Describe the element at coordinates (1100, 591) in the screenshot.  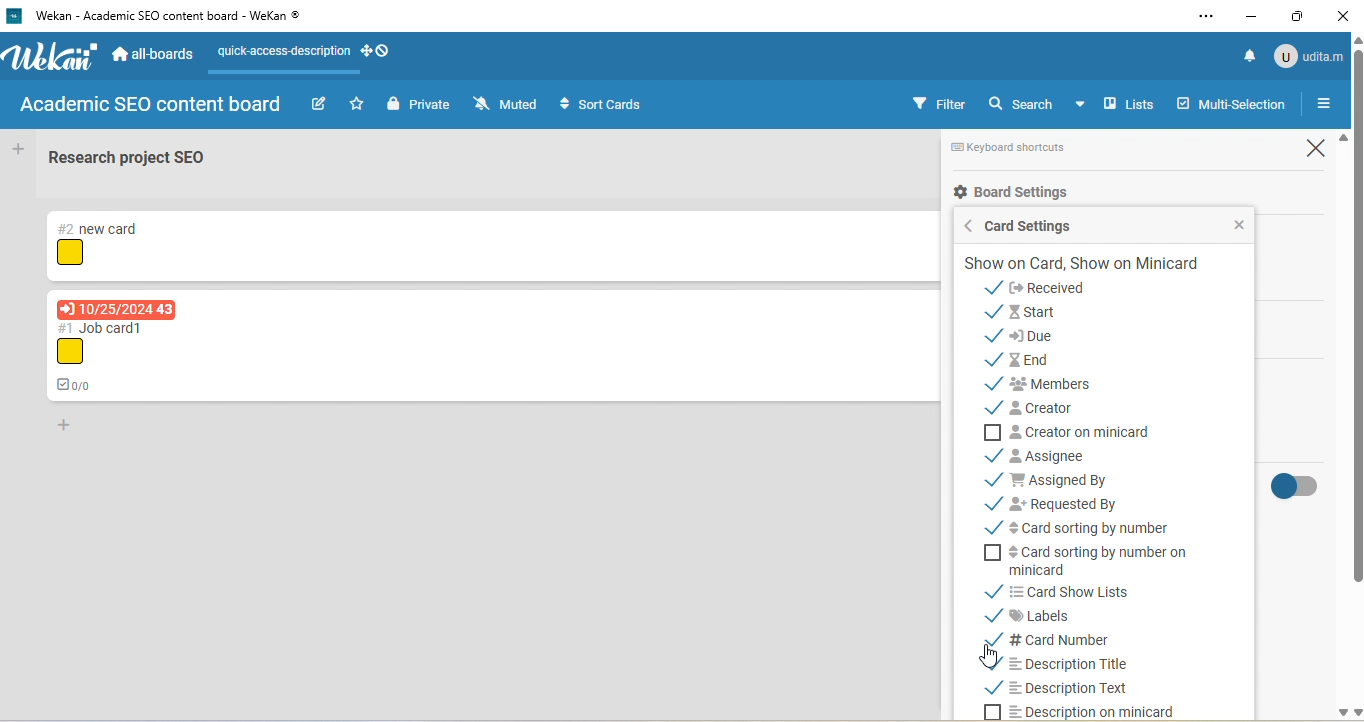
I see `card show lists` at that location.